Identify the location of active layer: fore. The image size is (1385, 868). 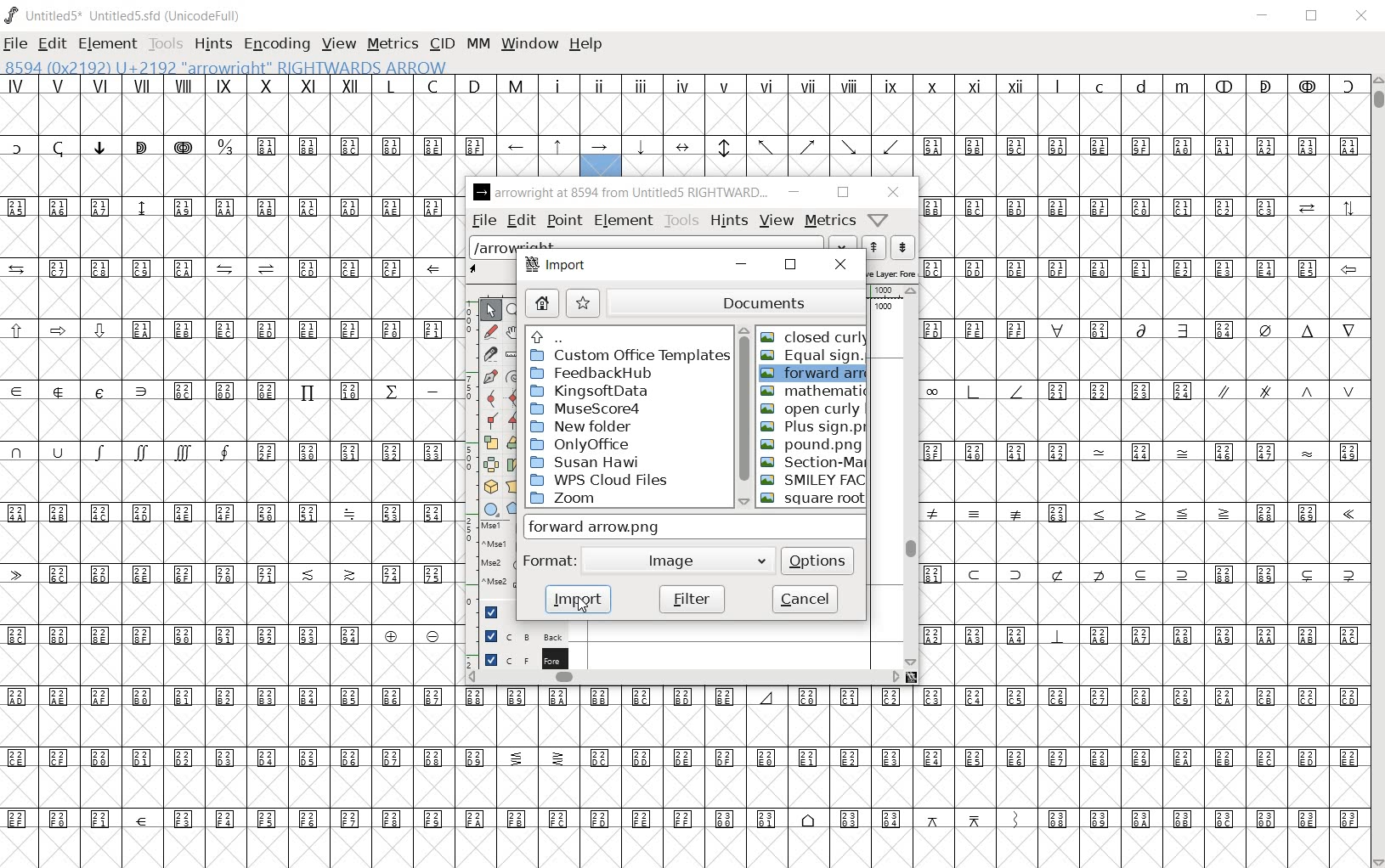
(891, 272).